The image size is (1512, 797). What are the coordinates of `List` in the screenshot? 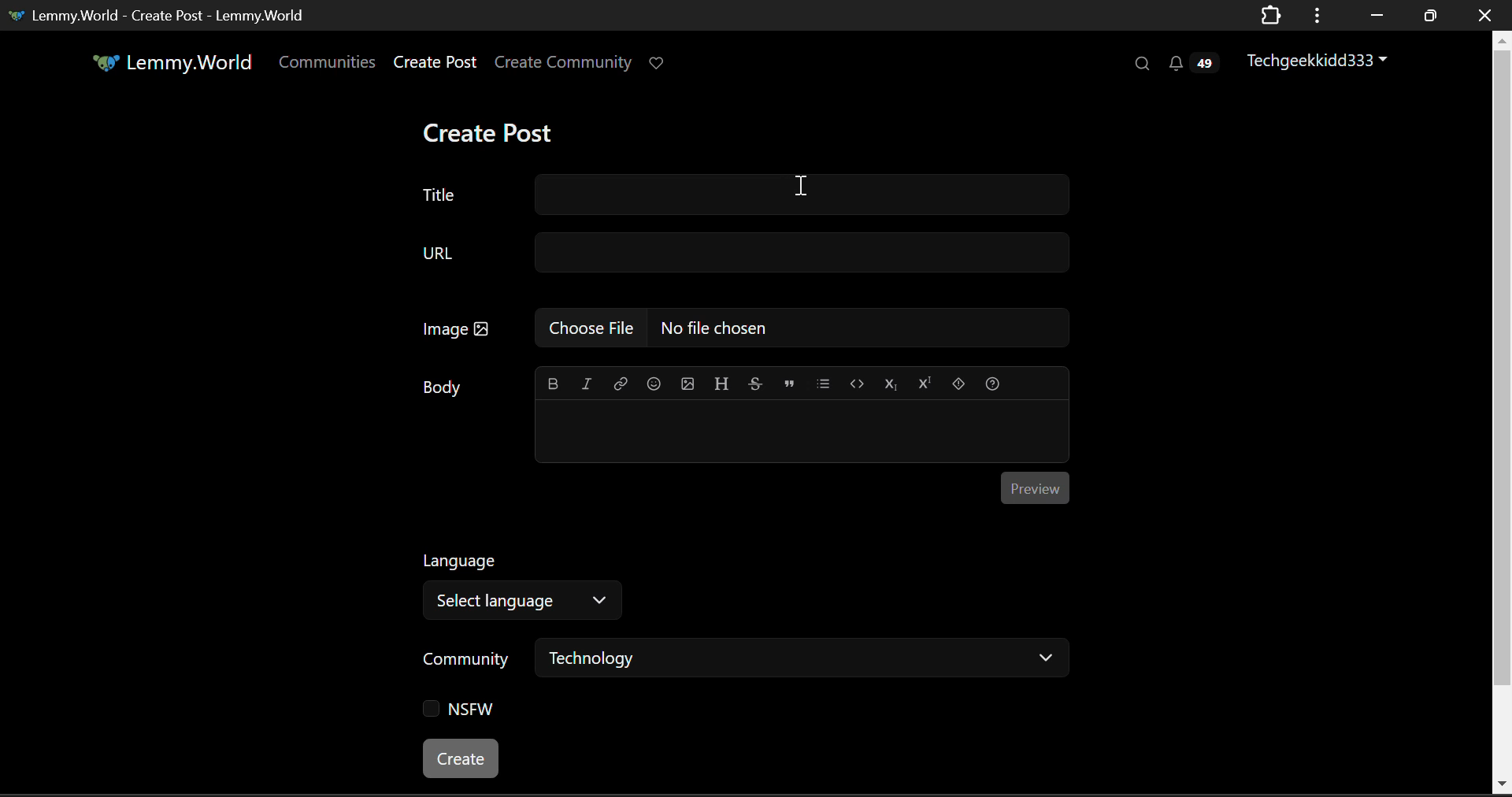 It's located at (823, 384).